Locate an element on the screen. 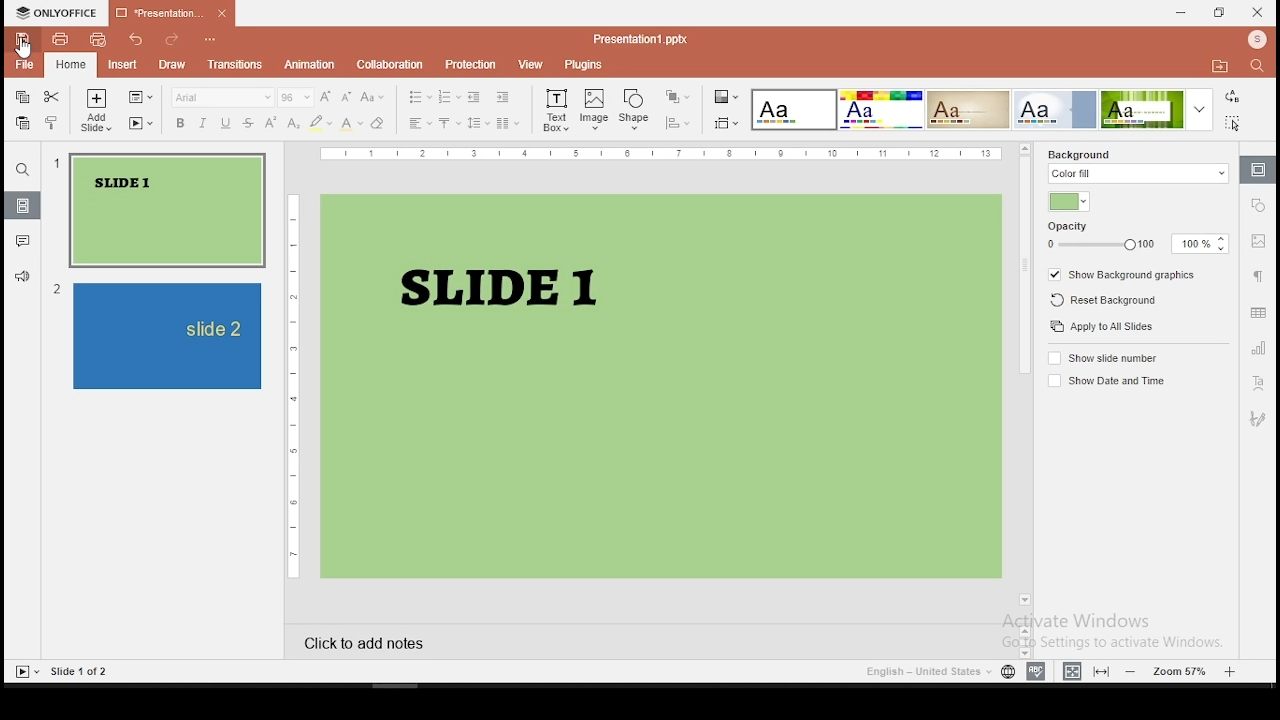 Image resolution: width=1280 pixels, height=720 pixels. vertical scale is located at coordinates (294, 386).